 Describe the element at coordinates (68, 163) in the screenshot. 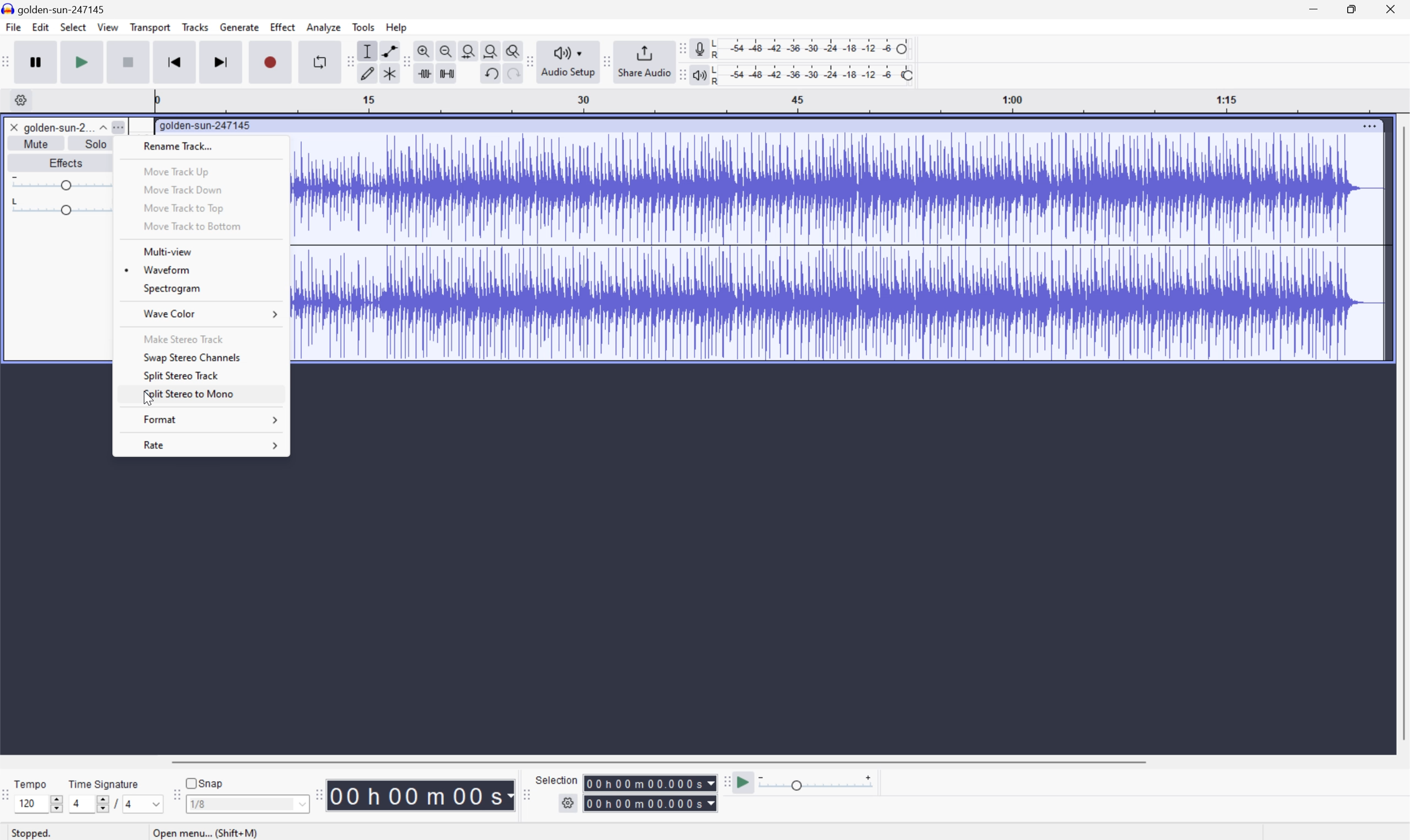

I see `Effects` at that location.